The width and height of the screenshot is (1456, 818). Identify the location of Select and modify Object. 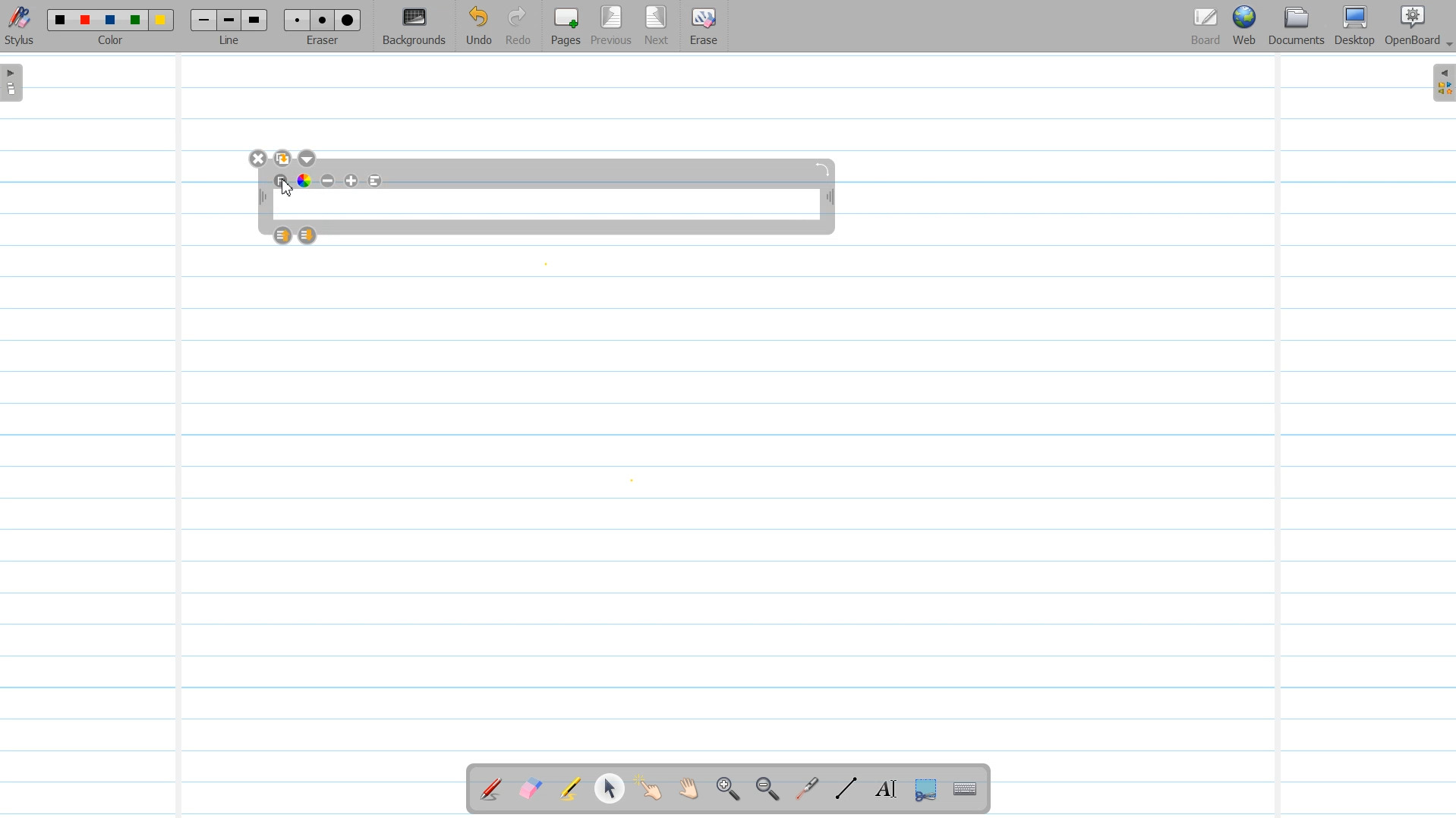
(610, 788).